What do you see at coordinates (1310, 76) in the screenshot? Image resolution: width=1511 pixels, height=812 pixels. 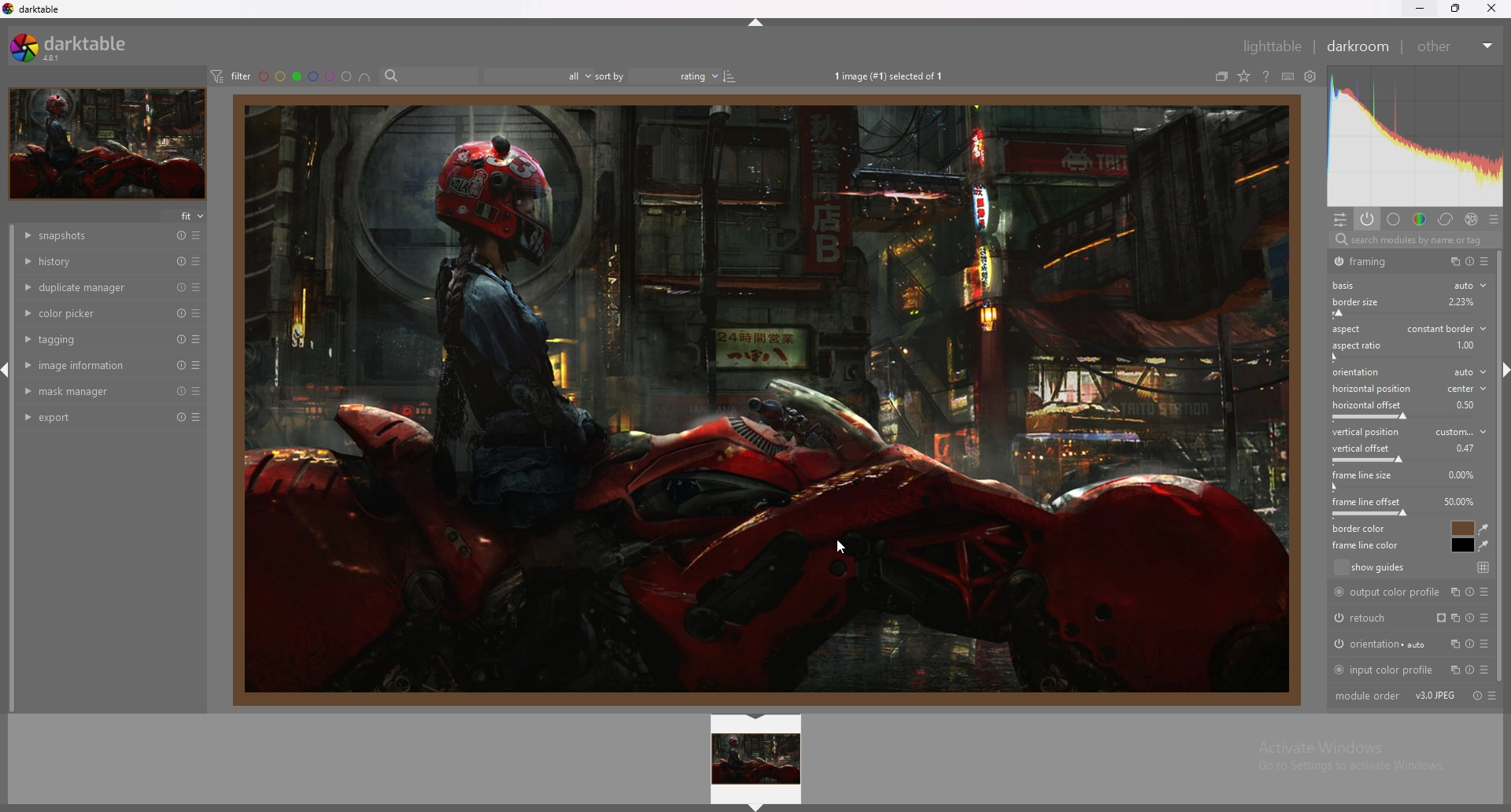 I see `see global preferences` at bounding box center [1310, 76].